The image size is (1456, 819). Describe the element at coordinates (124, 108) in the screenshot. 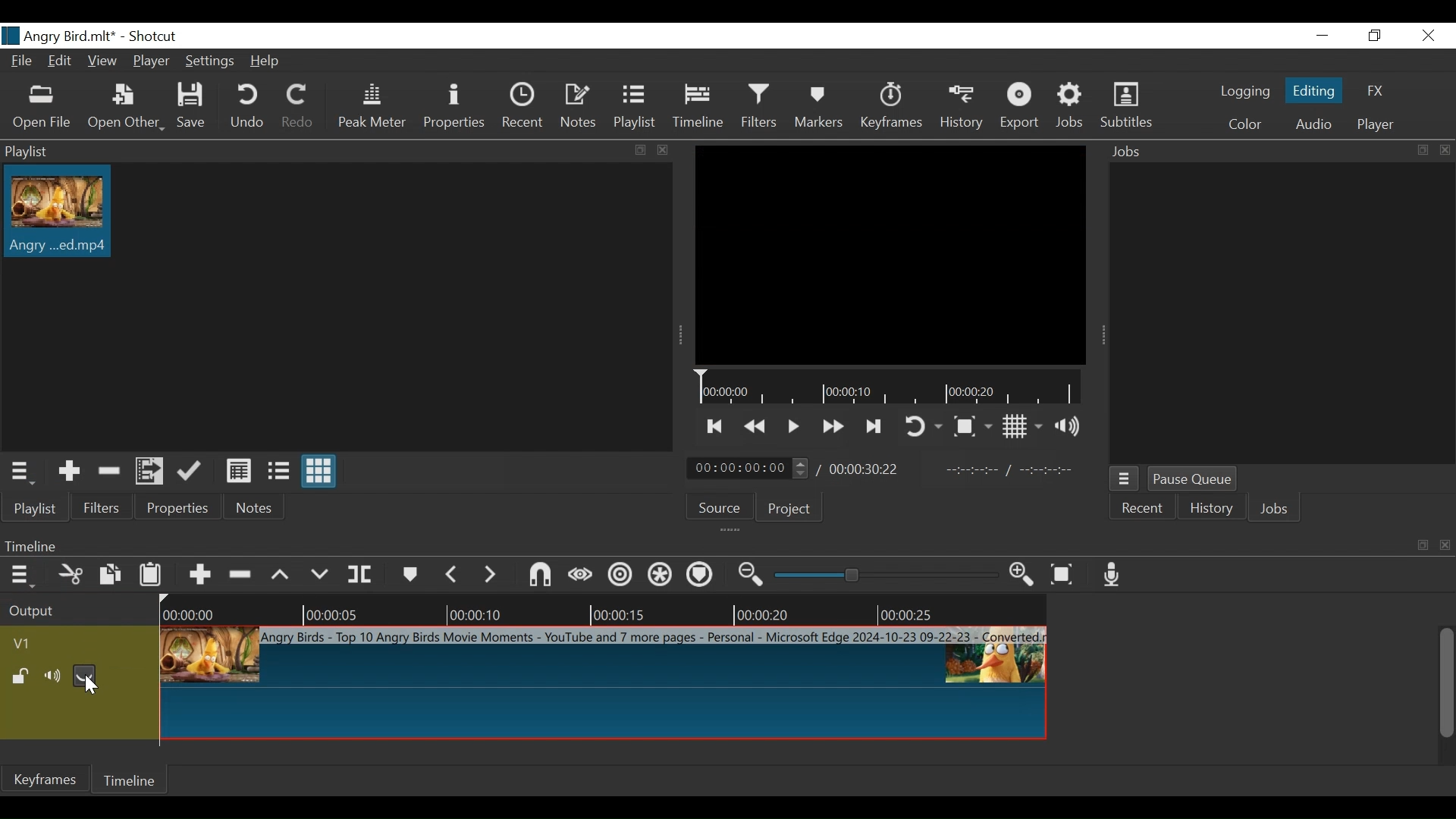

I see `Open Other` at that location.